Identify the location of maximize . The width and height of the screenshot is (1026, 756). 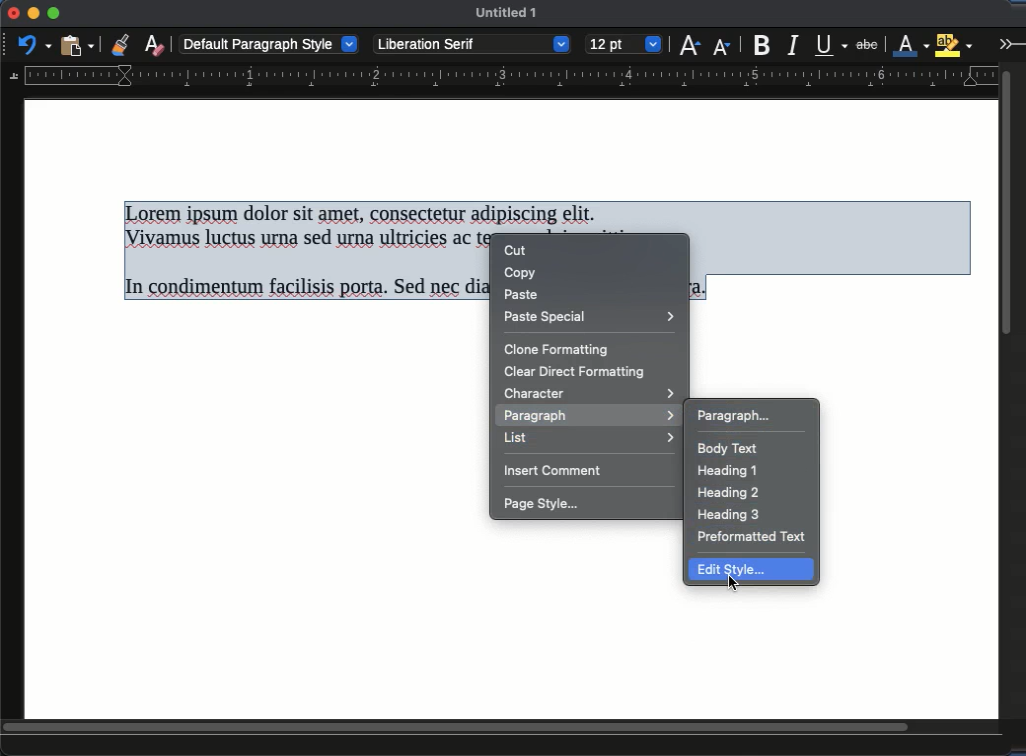
(53, 14).